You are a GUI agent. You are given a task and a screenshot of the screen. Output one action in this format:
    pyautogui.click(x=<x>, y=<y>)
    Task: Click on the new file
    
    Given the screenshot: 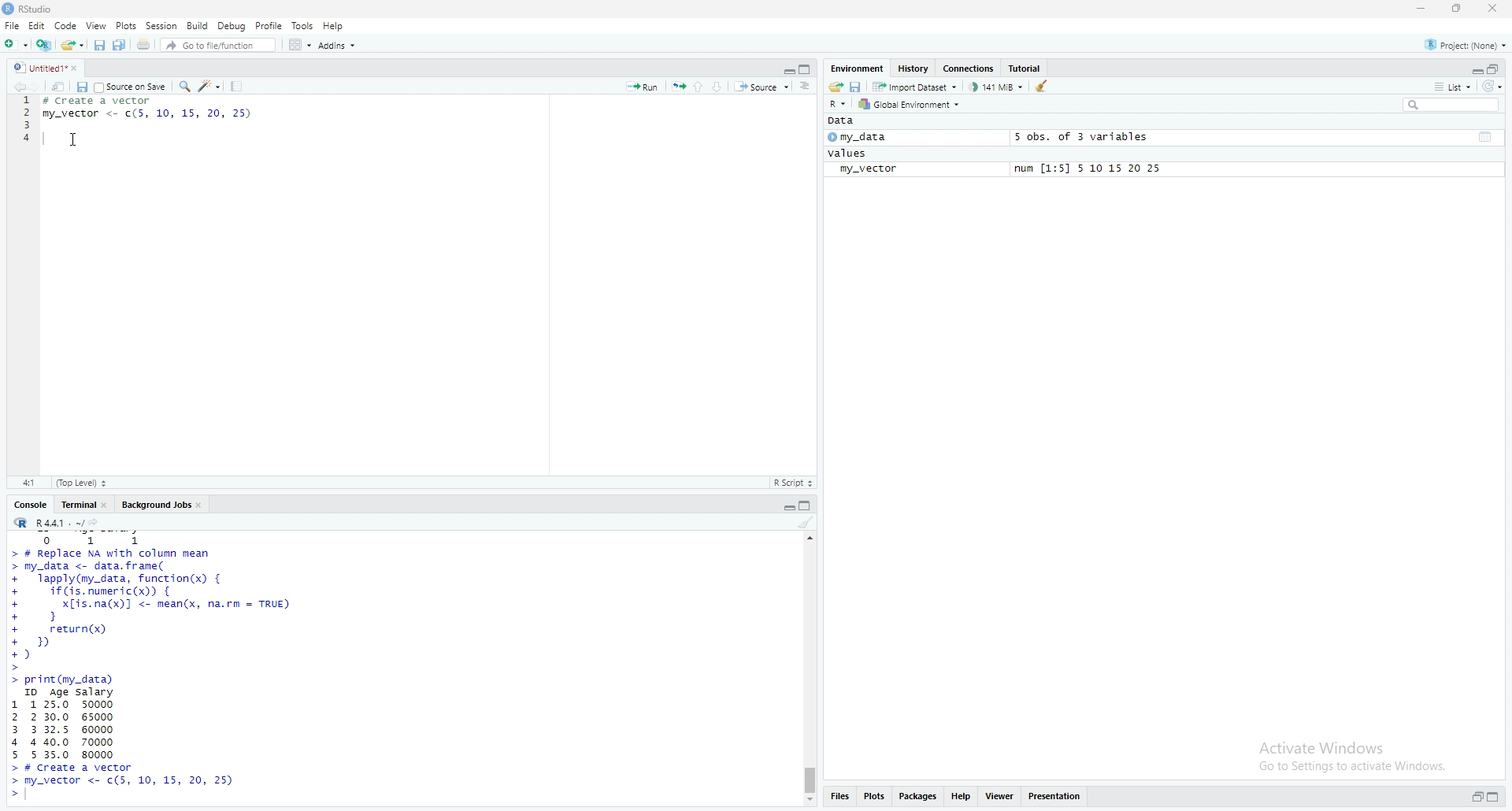 What is the action you would take?
    pyautogui.click(x=16, y=46)
    